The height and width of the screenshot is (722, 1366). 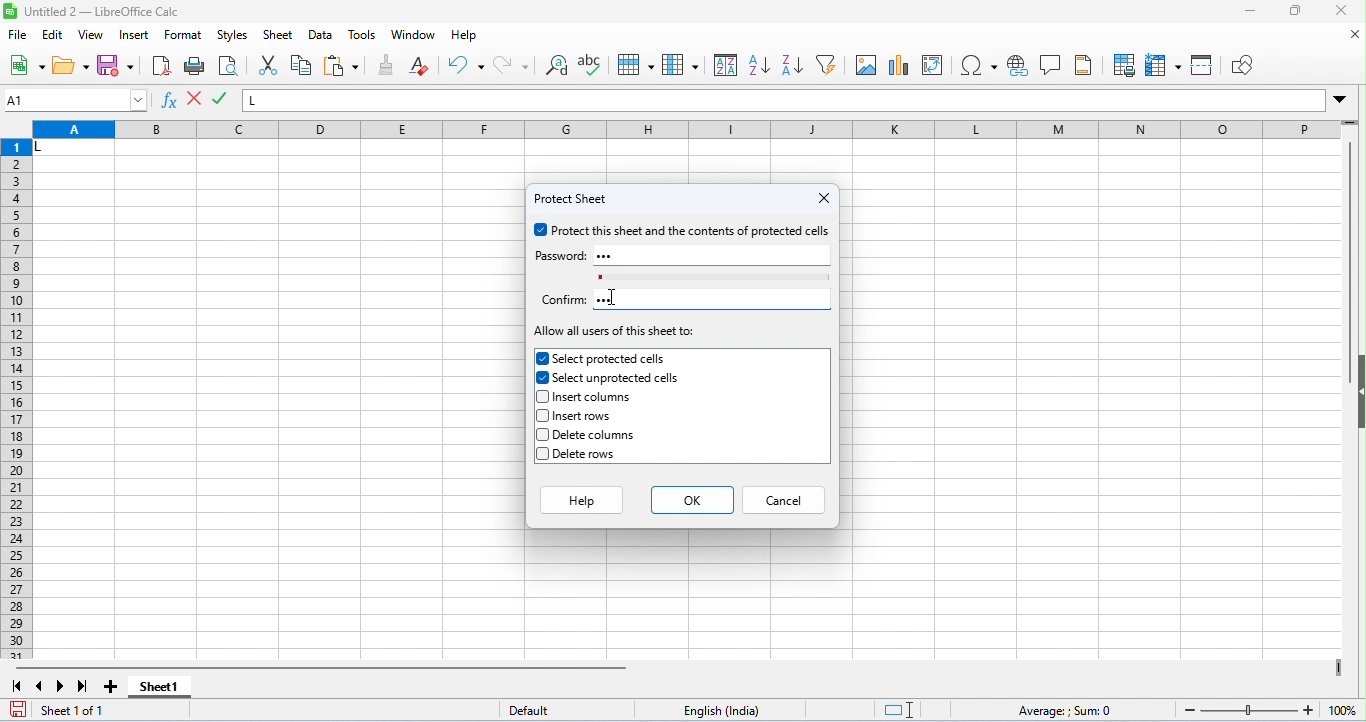 What do you see at coordinates (900, 67) in the screenshot?
I see `insert chart` at bounding box center [900, 67].